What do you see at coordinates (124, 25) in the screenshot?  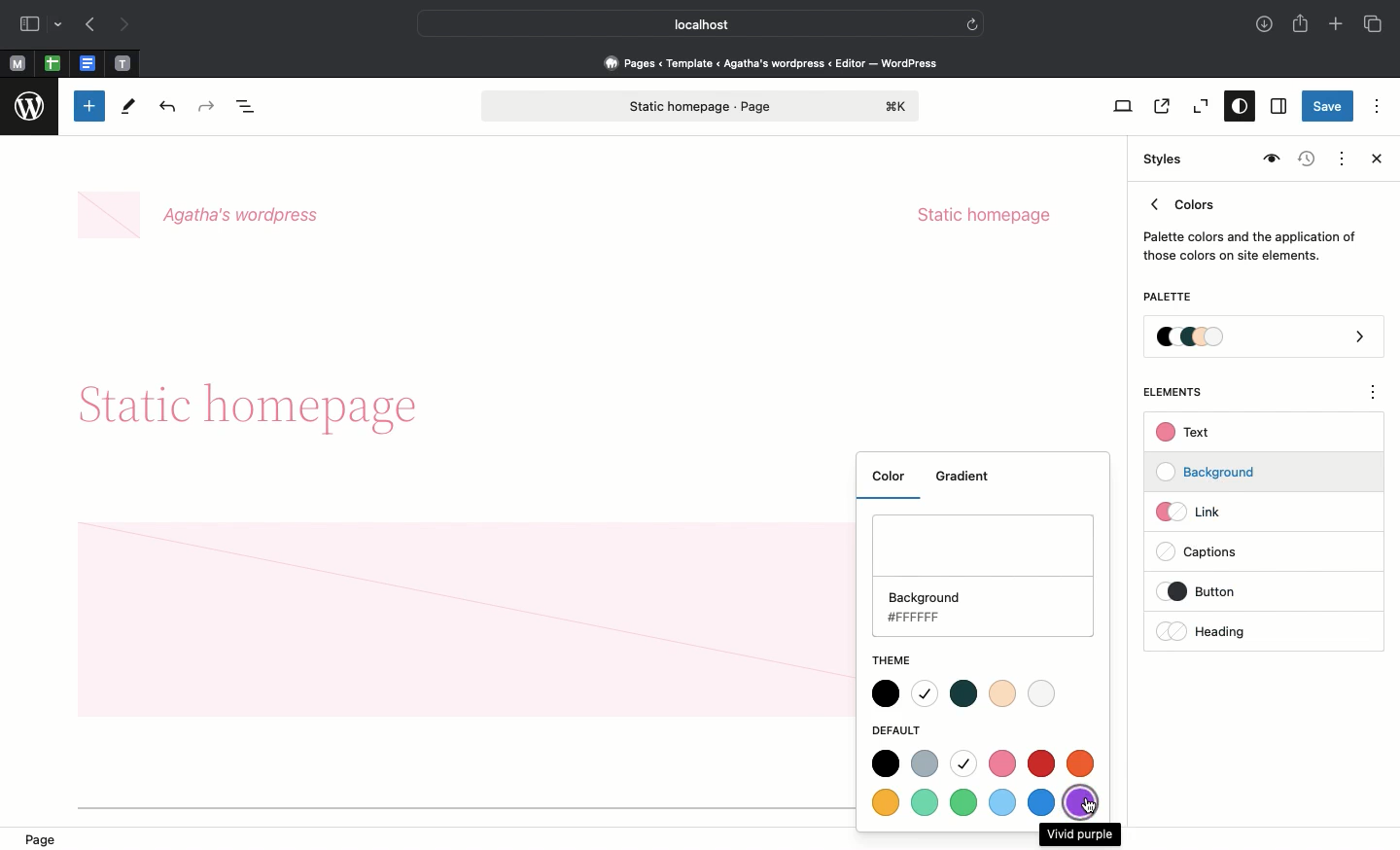 I see `Next page` at bounding box center [124, 25].